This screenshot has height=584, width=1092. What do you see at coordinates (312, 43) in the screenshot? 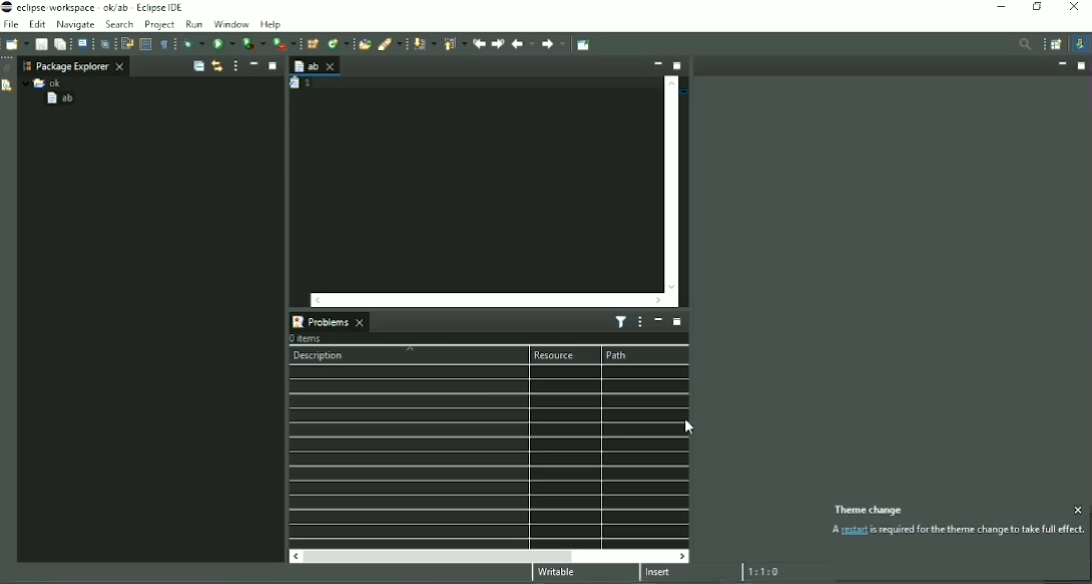
I see `New Java Package` at bounding box center [312, 43].